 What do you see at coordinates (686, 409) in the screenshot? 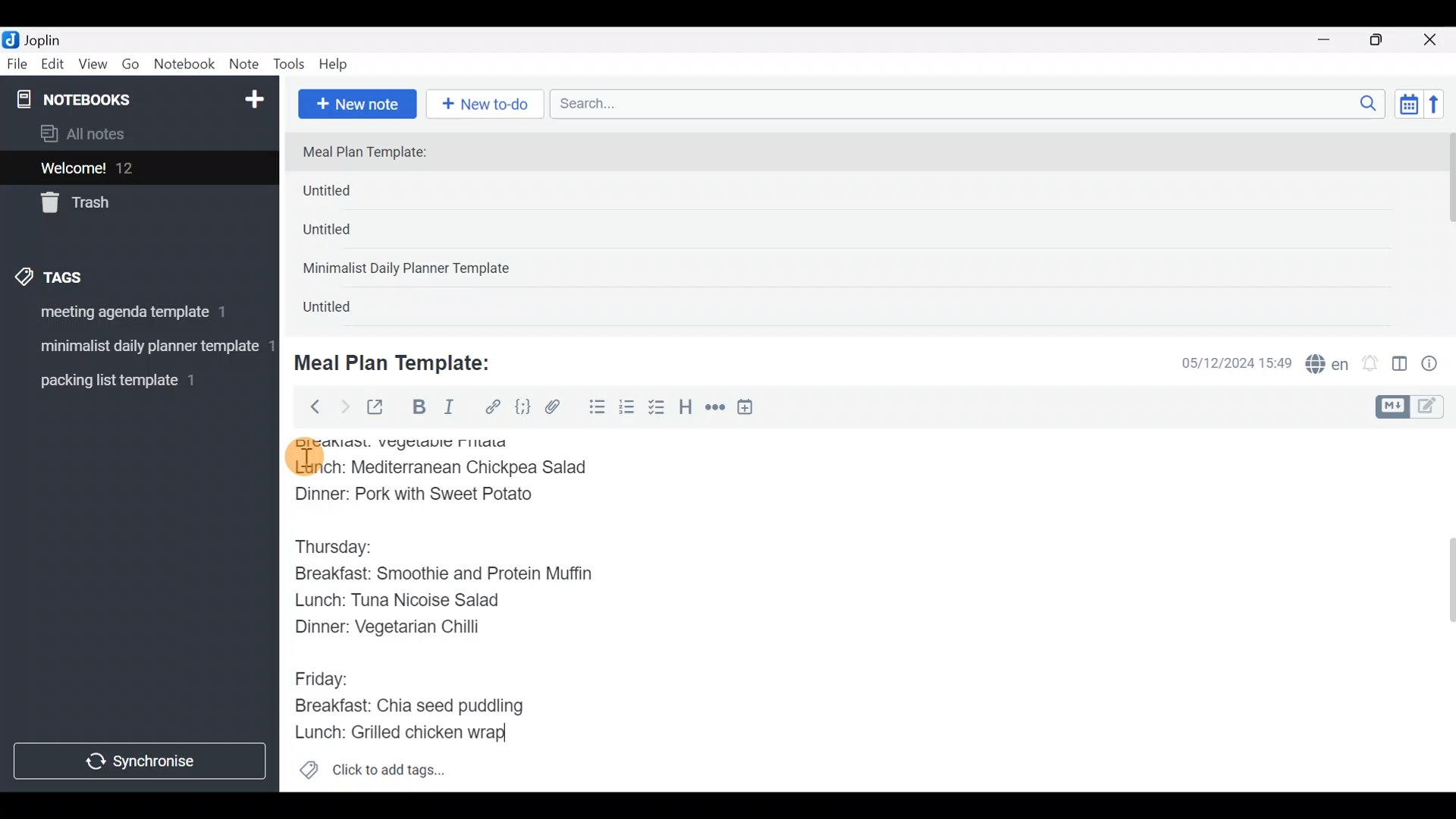
I see `Heading` at bounding box center [686, 409].